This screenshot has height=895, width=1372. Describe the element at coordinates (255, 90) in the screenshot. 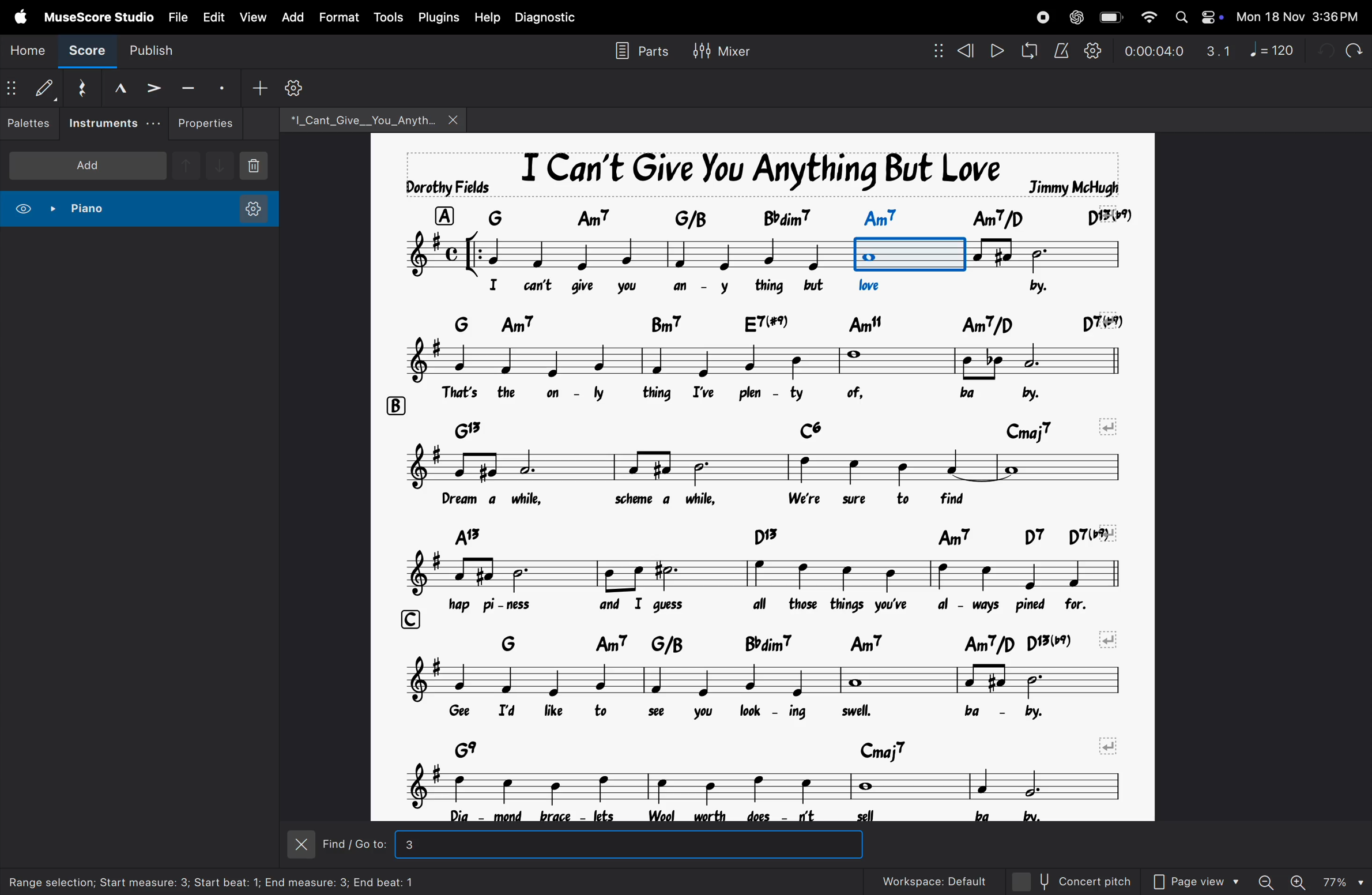

I see `add` at that location.